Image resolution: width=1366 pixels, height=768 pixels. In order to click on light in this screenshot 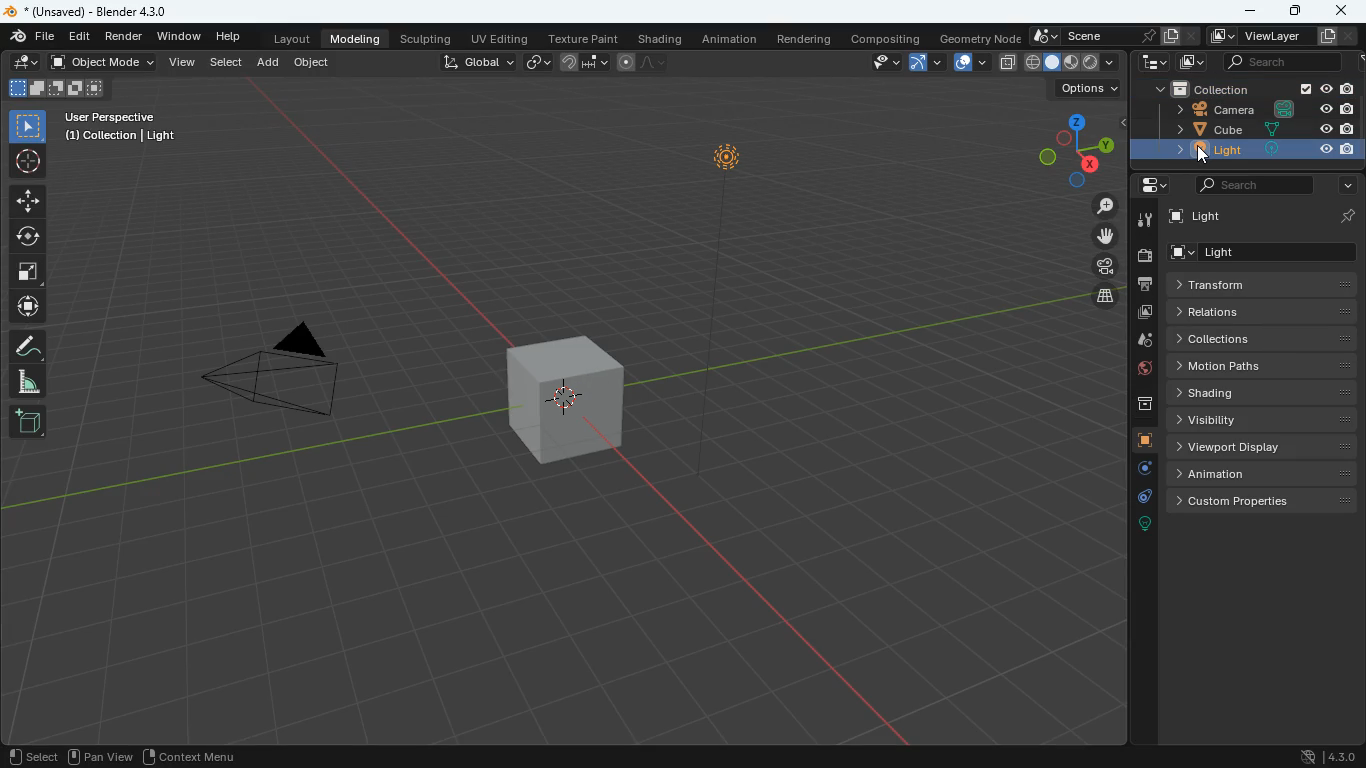, I will do `click(1248, 150)`.